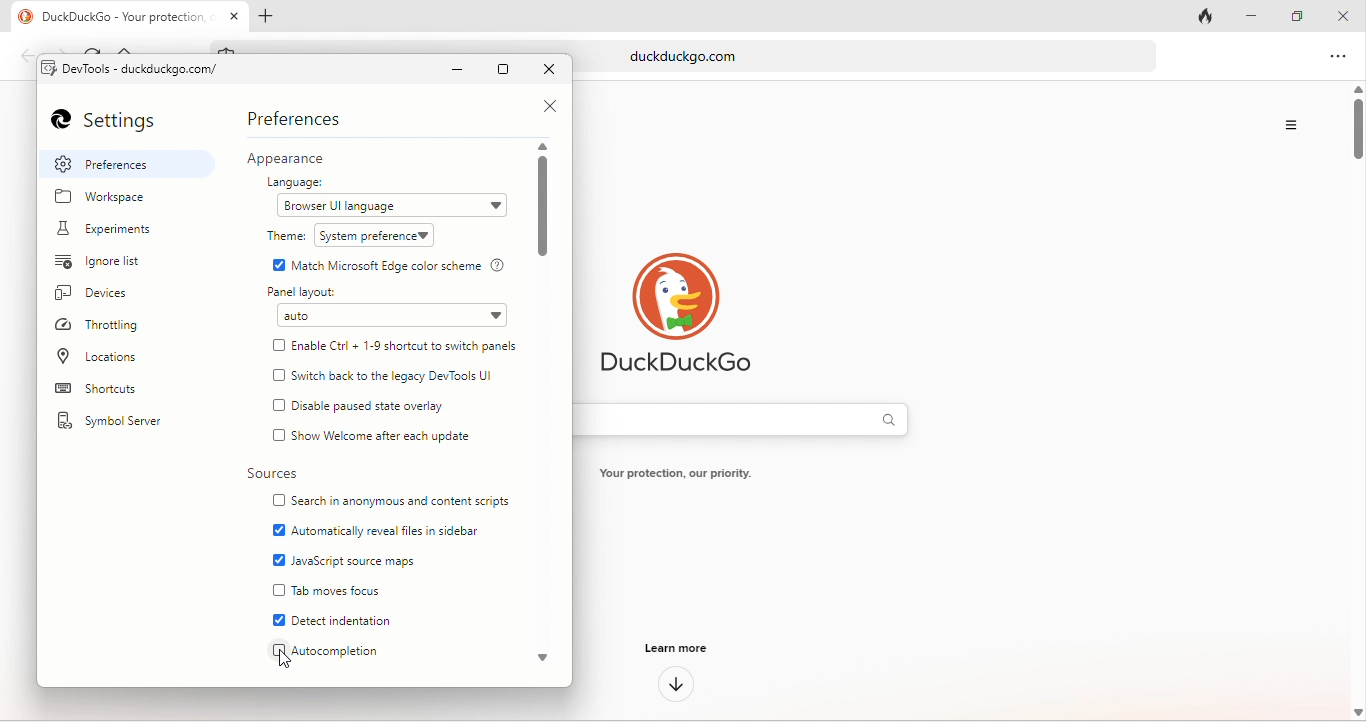  What do you see at coordinates (1253, 17) in the screenshot?
I see `minimize` at bounding box center [1253, 17].